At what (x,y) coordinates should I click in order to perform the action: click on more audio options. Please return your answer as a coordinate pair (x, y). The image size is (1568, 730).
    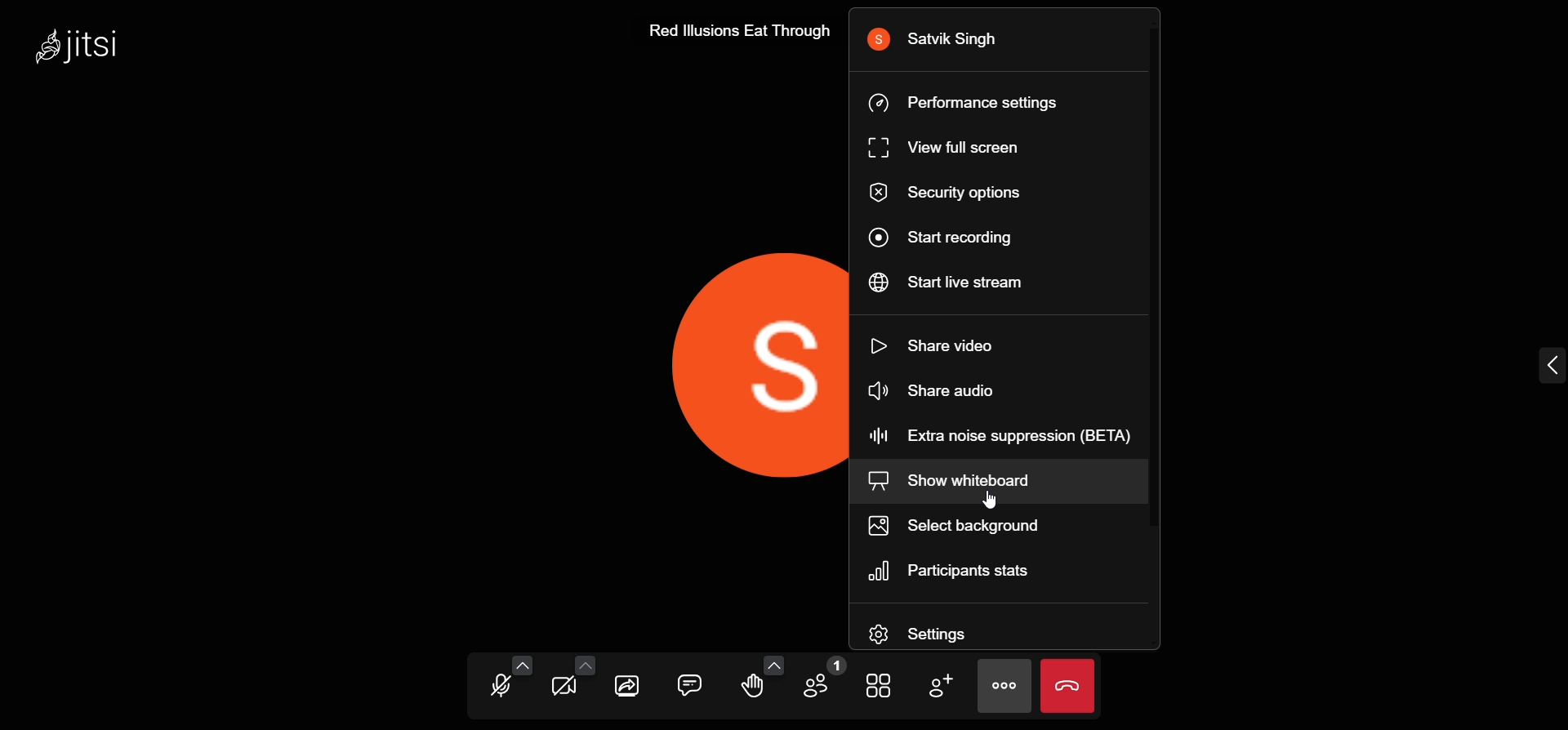
    Looking at the image, I should click on (523, 665).